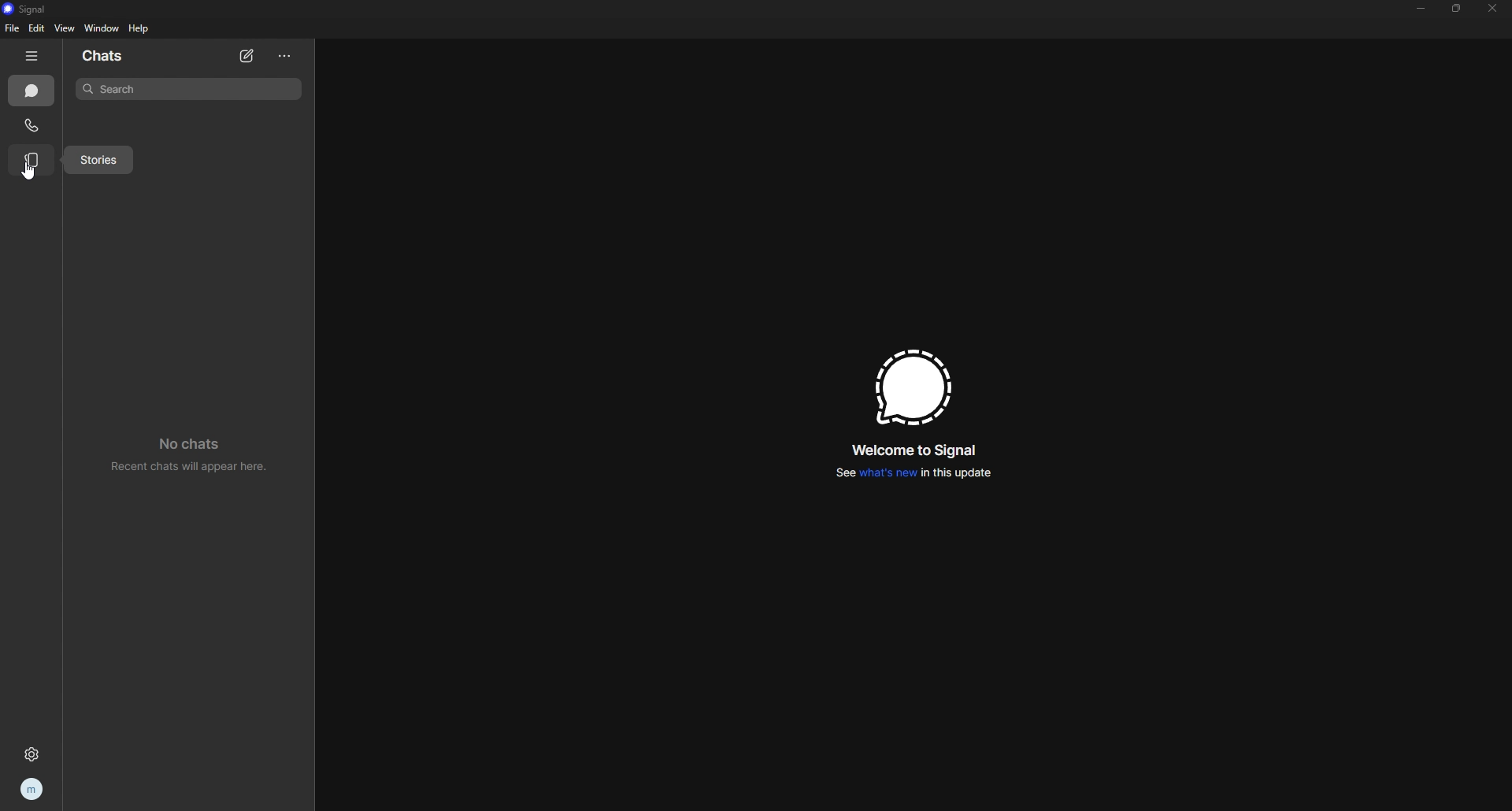 This screenshot has width=1512, height=811. What do you see at coordinates (31, 161) in the screenshot?
I see `stories` at bounding box center [31, 161].